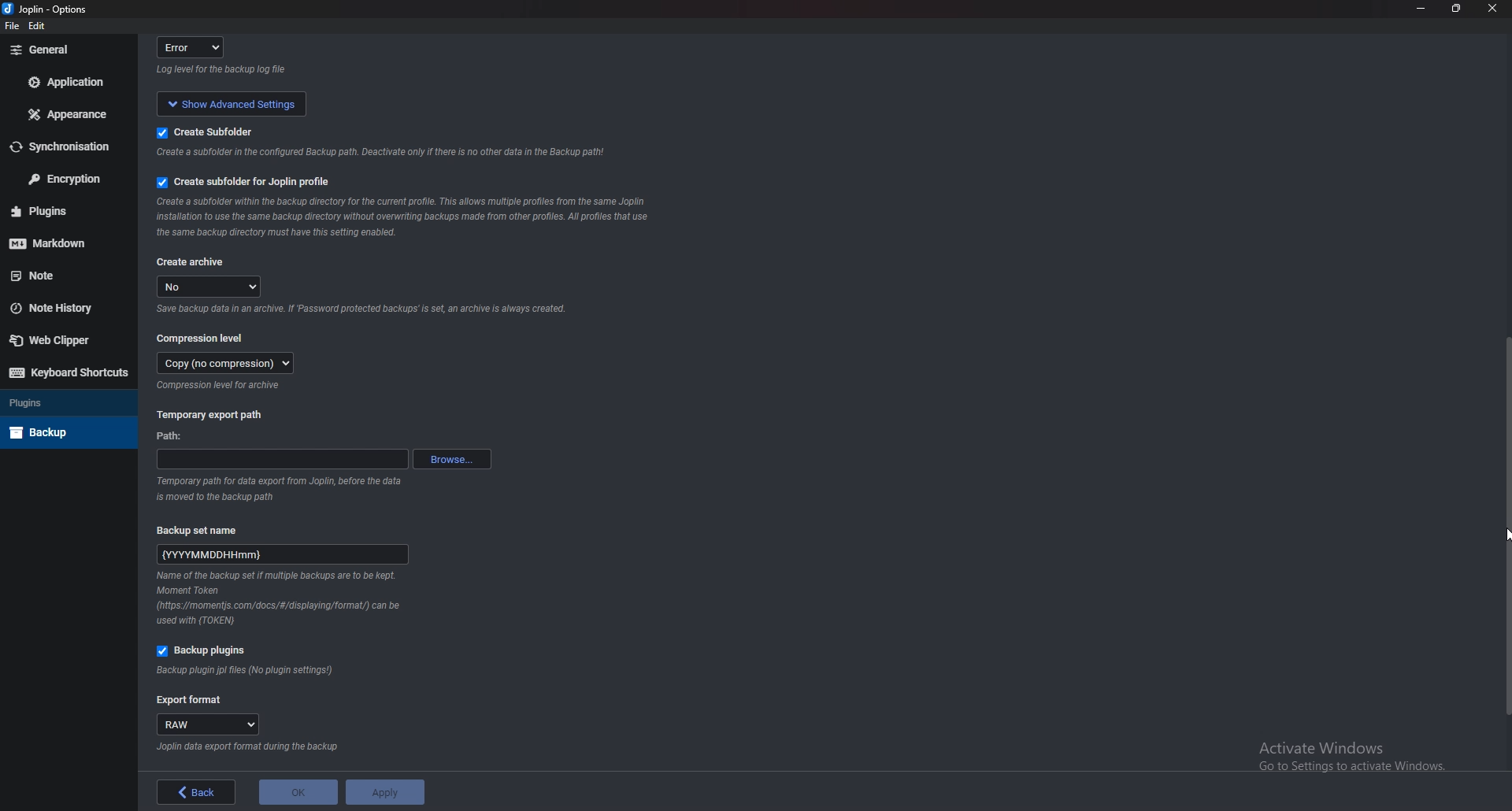 This screenshot has height=811, width=1512. I want to click on show advanced settings, so click(228, 102).